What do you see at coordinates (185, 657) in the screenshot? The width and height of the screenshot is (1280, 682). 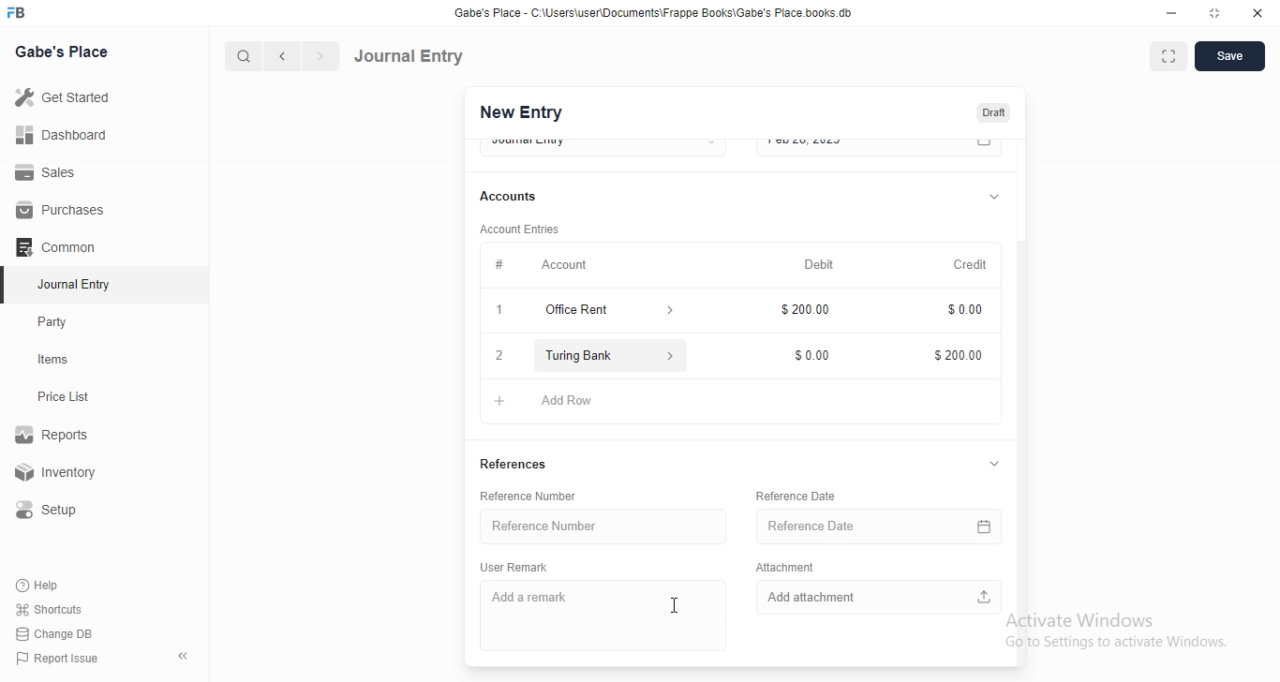 I see `«` at bounding box center [185, 657].